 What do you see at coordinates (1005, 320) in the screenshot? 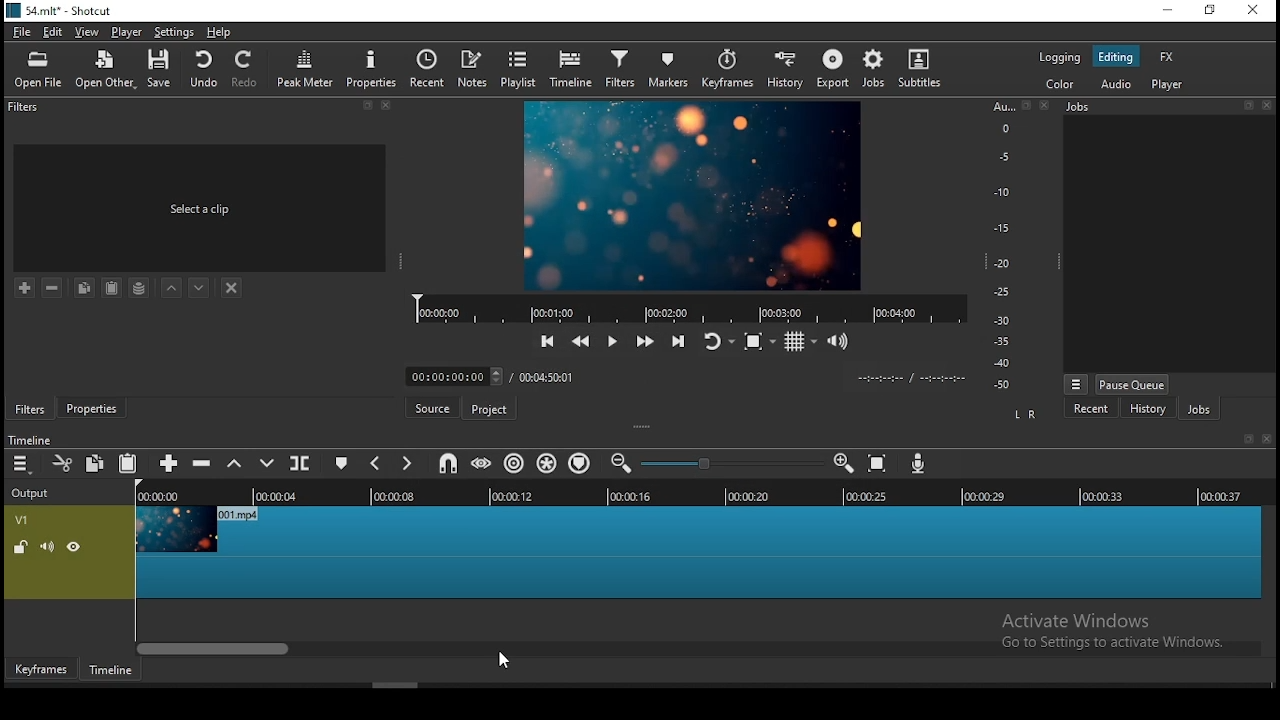
I see `-30` at bounding box center [1005, 320].